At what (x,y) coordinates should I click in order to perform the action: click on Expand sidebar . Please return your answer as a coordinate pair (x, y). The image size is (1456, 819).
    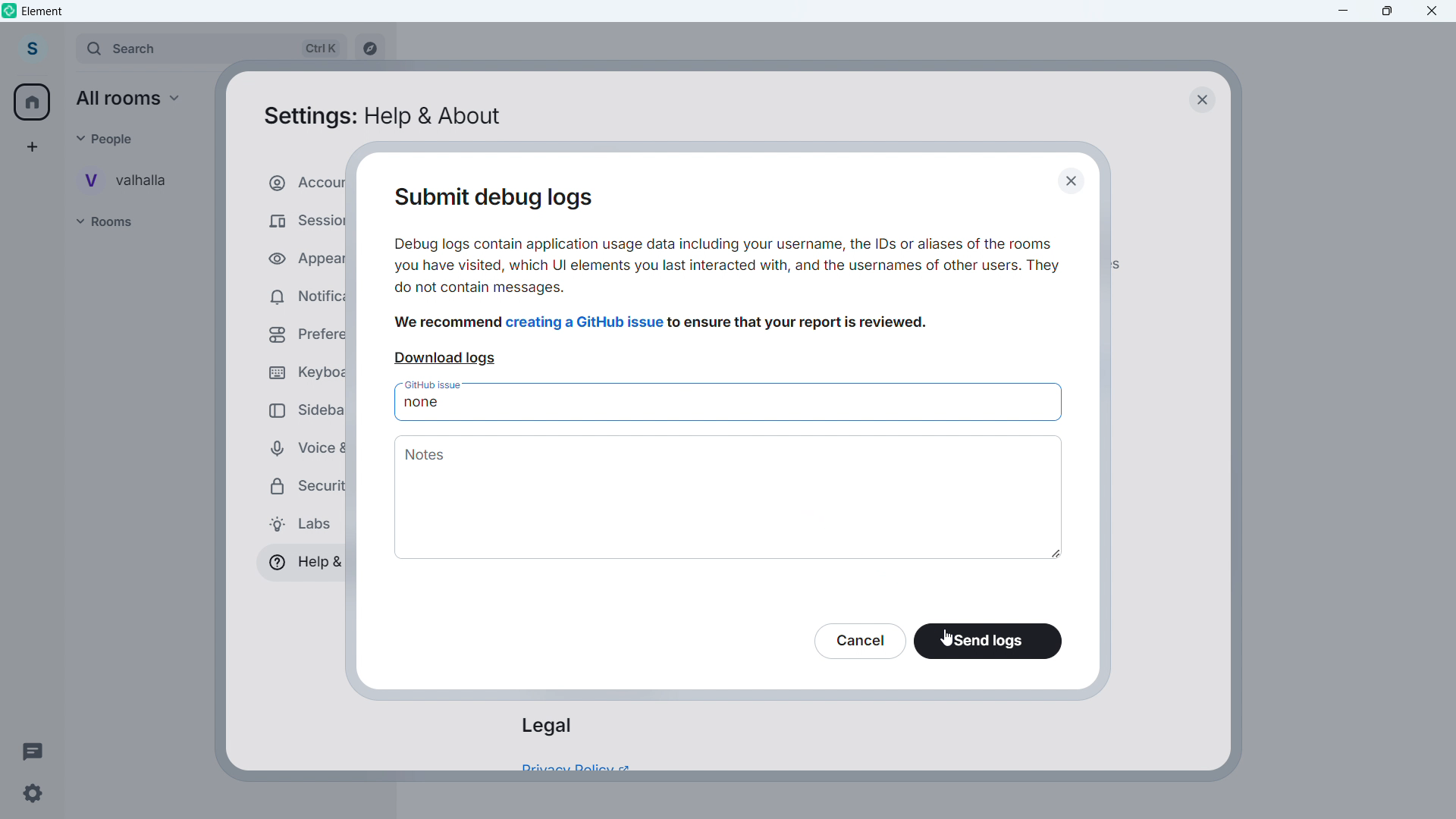
    Looking at the image, I should click on (64, 50).